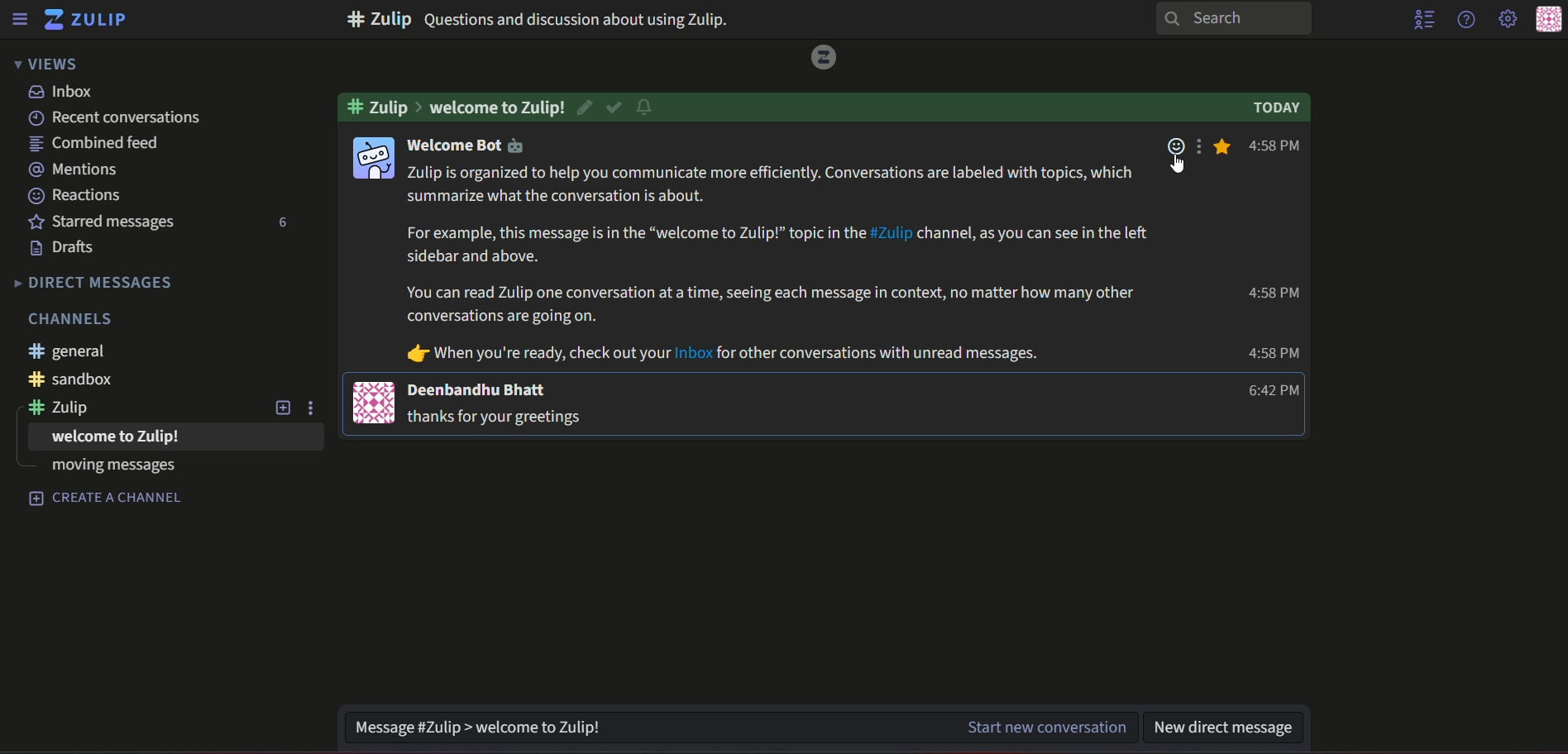 This screenshot has width=1568, height=754. What do you see at coordinates (1506, 19) in the screenshot?
I see `main menu` at bounding box center [1506, 19].